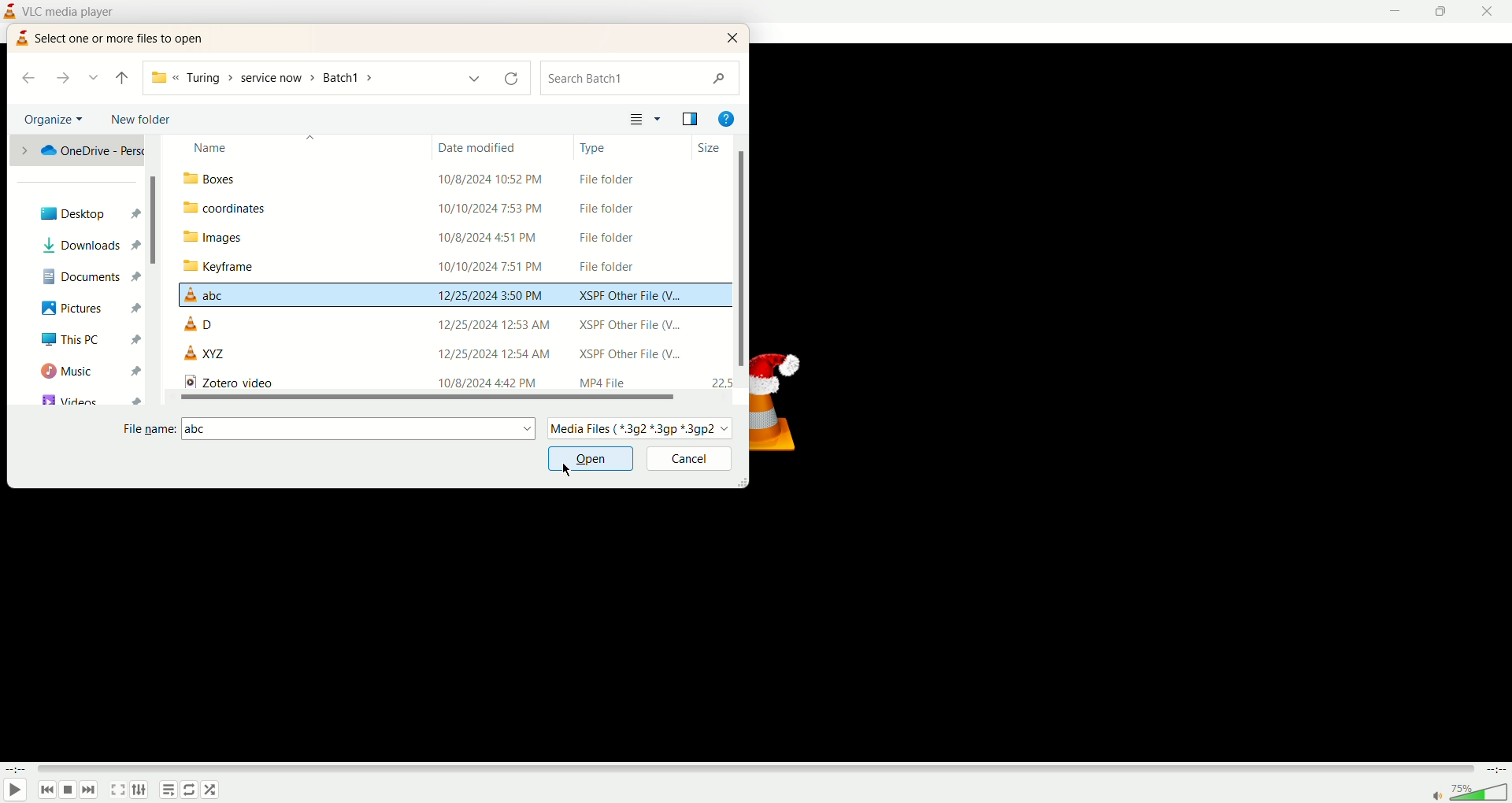 The width and height of the screenshot is (1512, 803). I want to click on file name, so click(146, 430).